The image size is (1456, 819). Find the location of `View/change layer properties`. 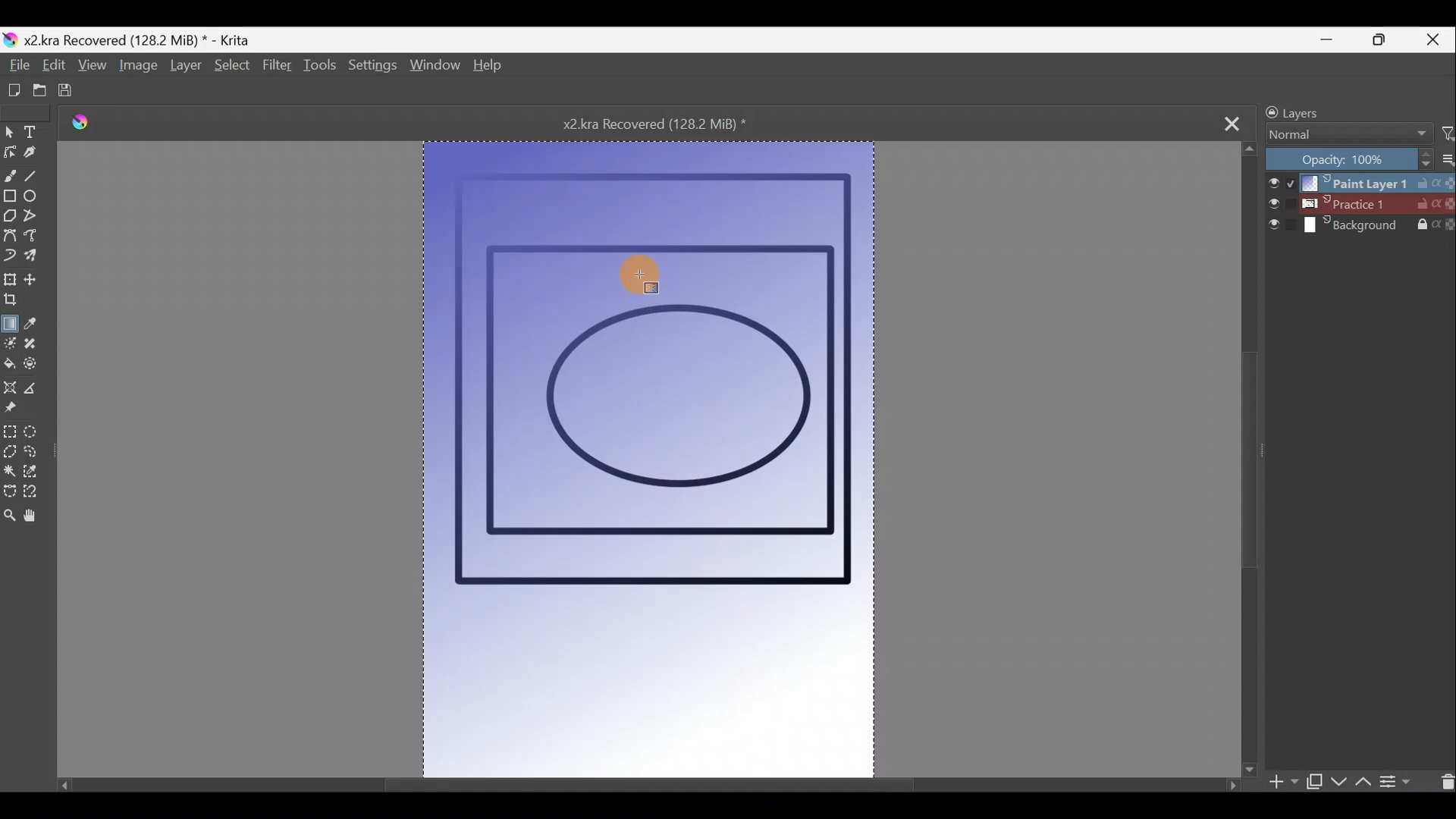

View/change layer properties is located at coordinates (1402, 780).